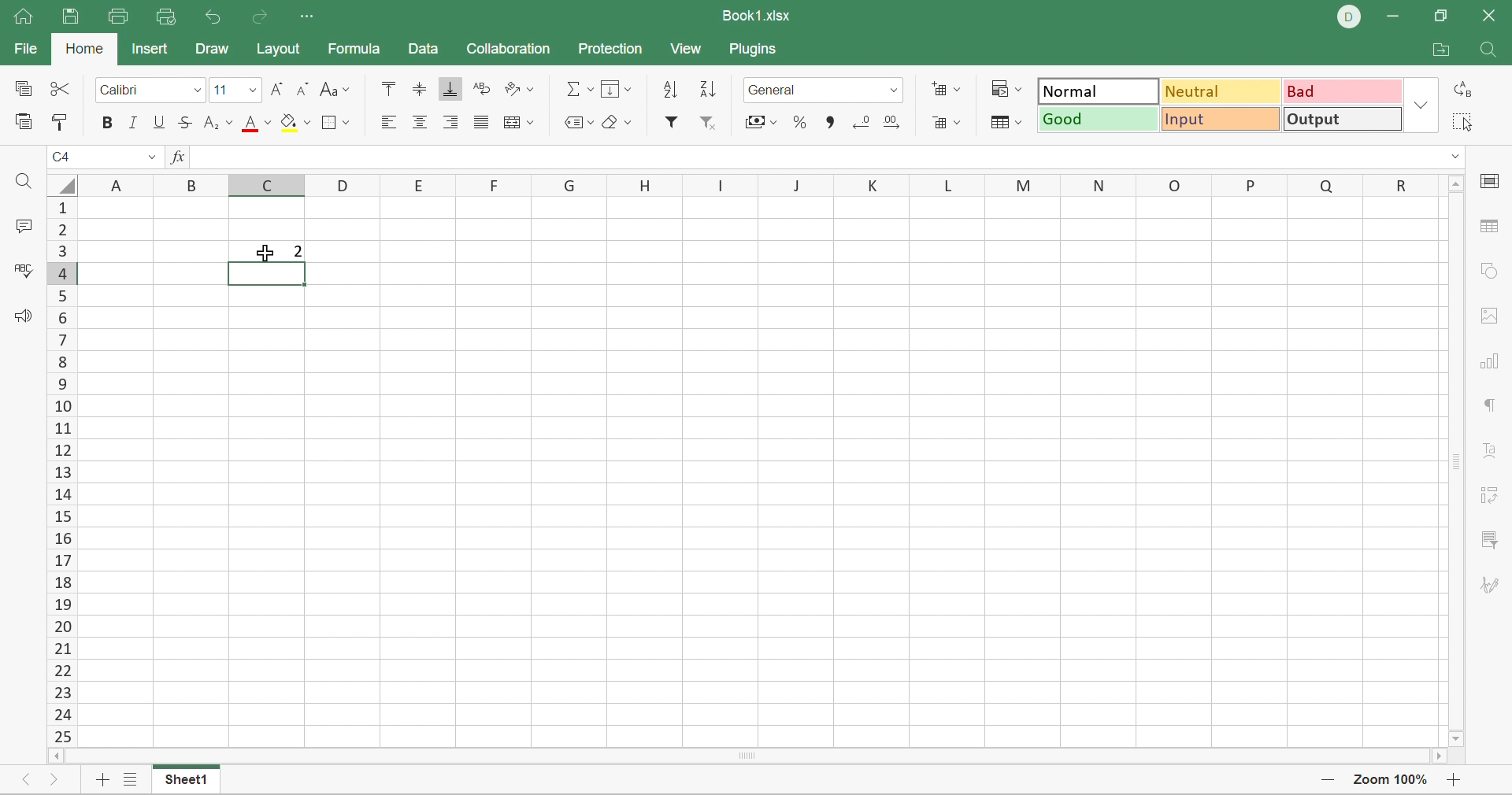  Describe the element at coordinates (758, 123) in the screenshot. I see `Accounting style` at that location.